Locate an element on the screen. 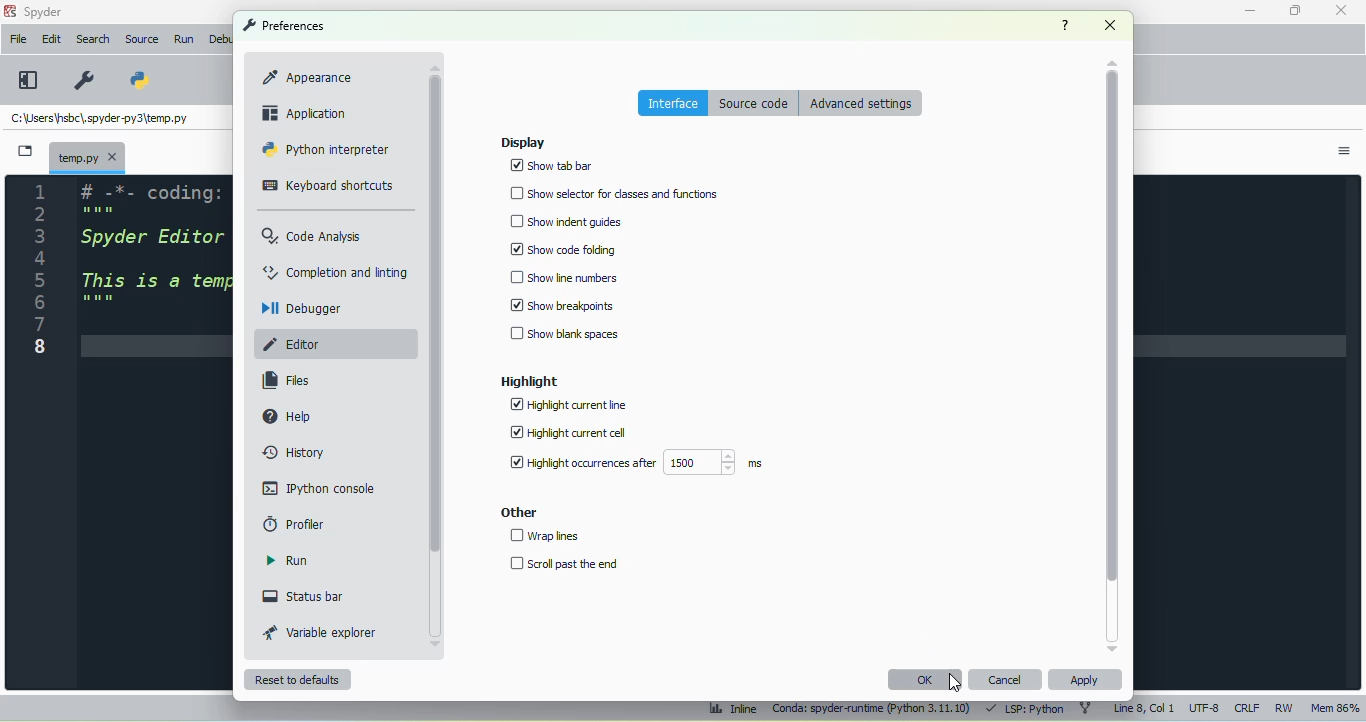 The width and height of the screenshot is (1366, 722). line 8, col 1 is located at coordinates (1144, 707).